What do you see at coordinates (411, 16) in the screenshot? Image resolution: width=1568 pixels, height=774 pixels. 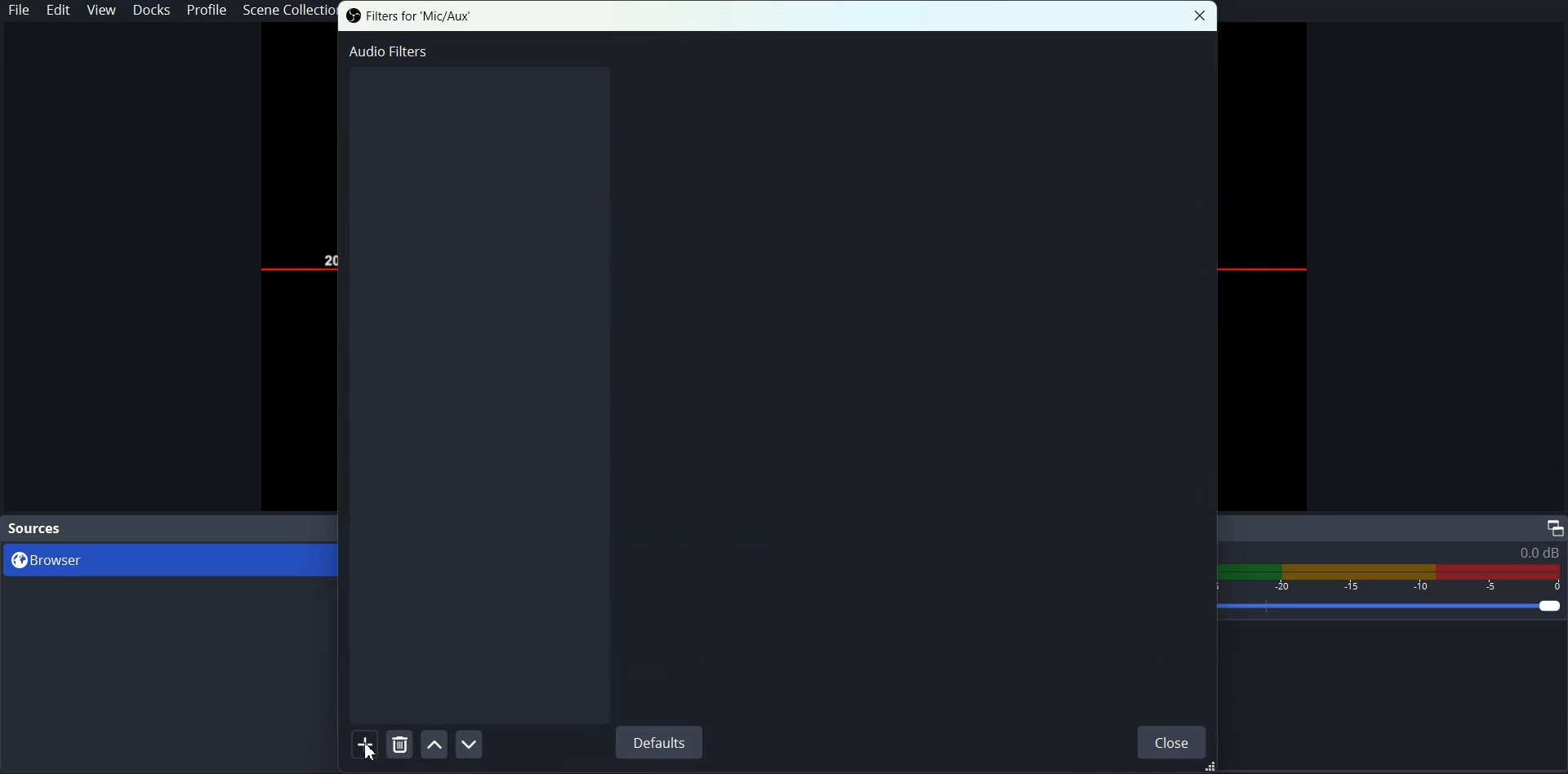 I see `Filter for 'Mic/Aux'` at bounding box center [411, 16].